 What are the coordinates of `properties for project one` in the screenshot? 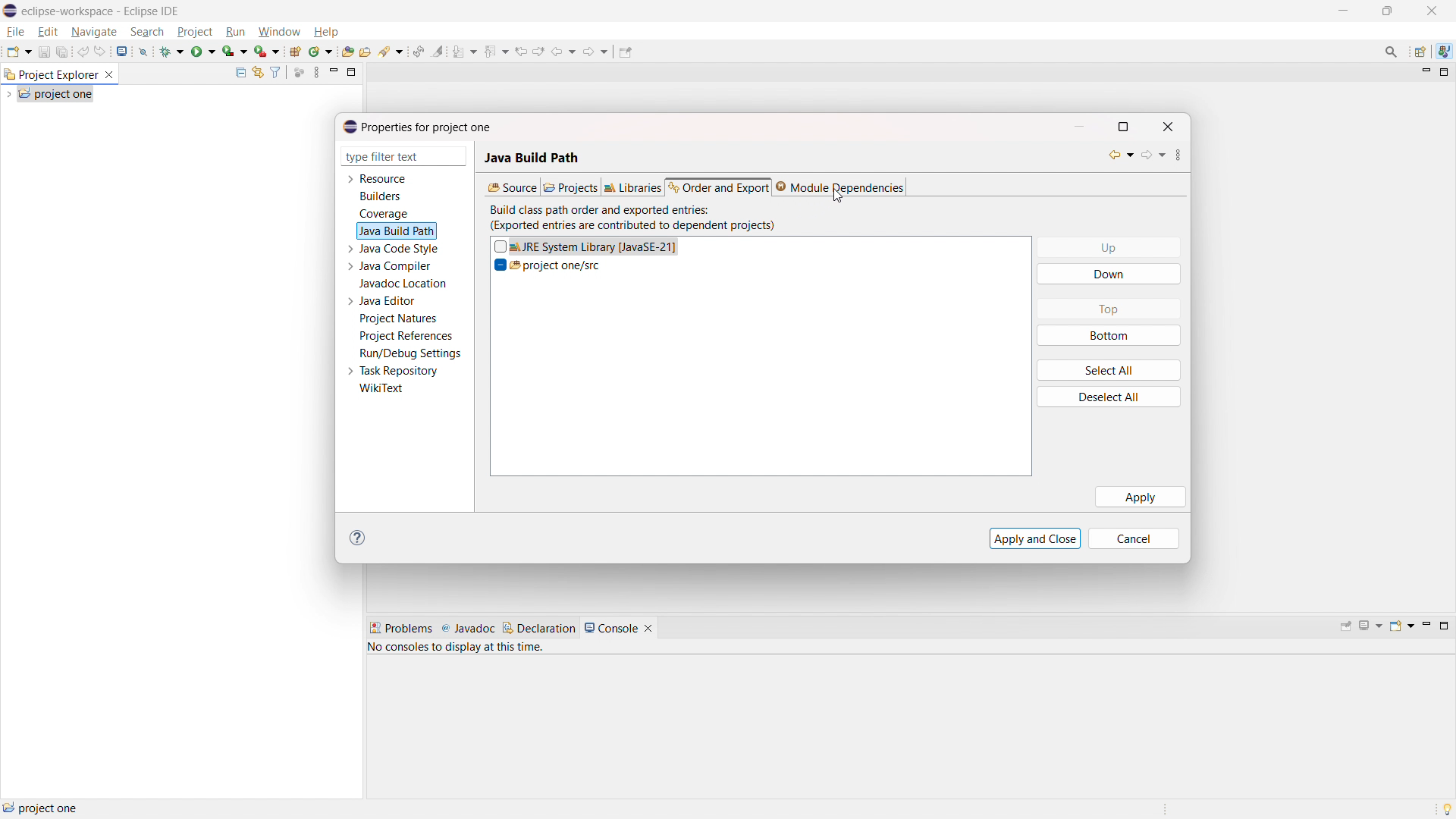 It's located at (418, 127).